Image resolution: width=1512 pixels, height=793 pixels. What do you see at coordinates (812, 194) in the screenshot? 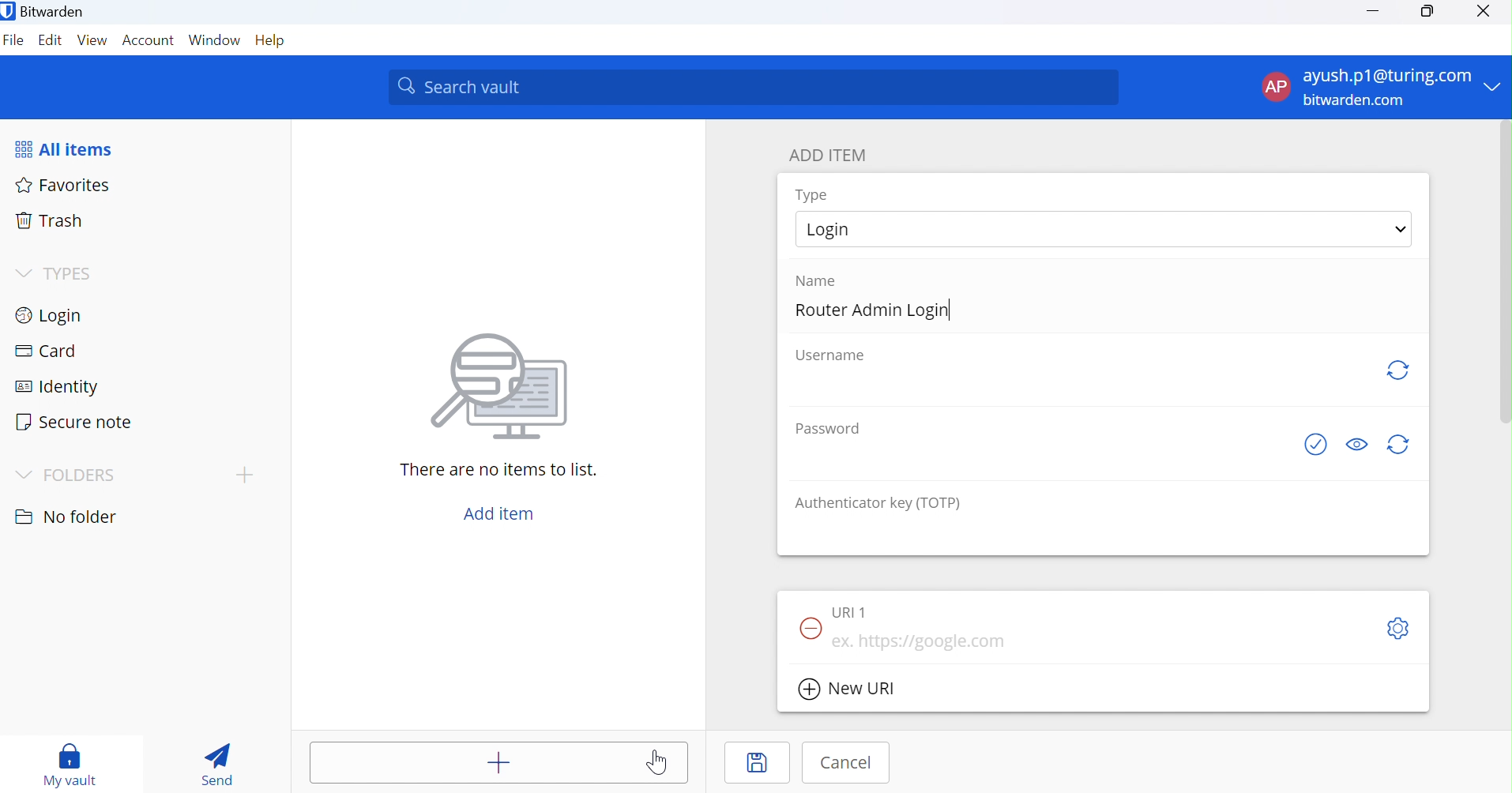
I see `Type` at bounding box center [812, 194].